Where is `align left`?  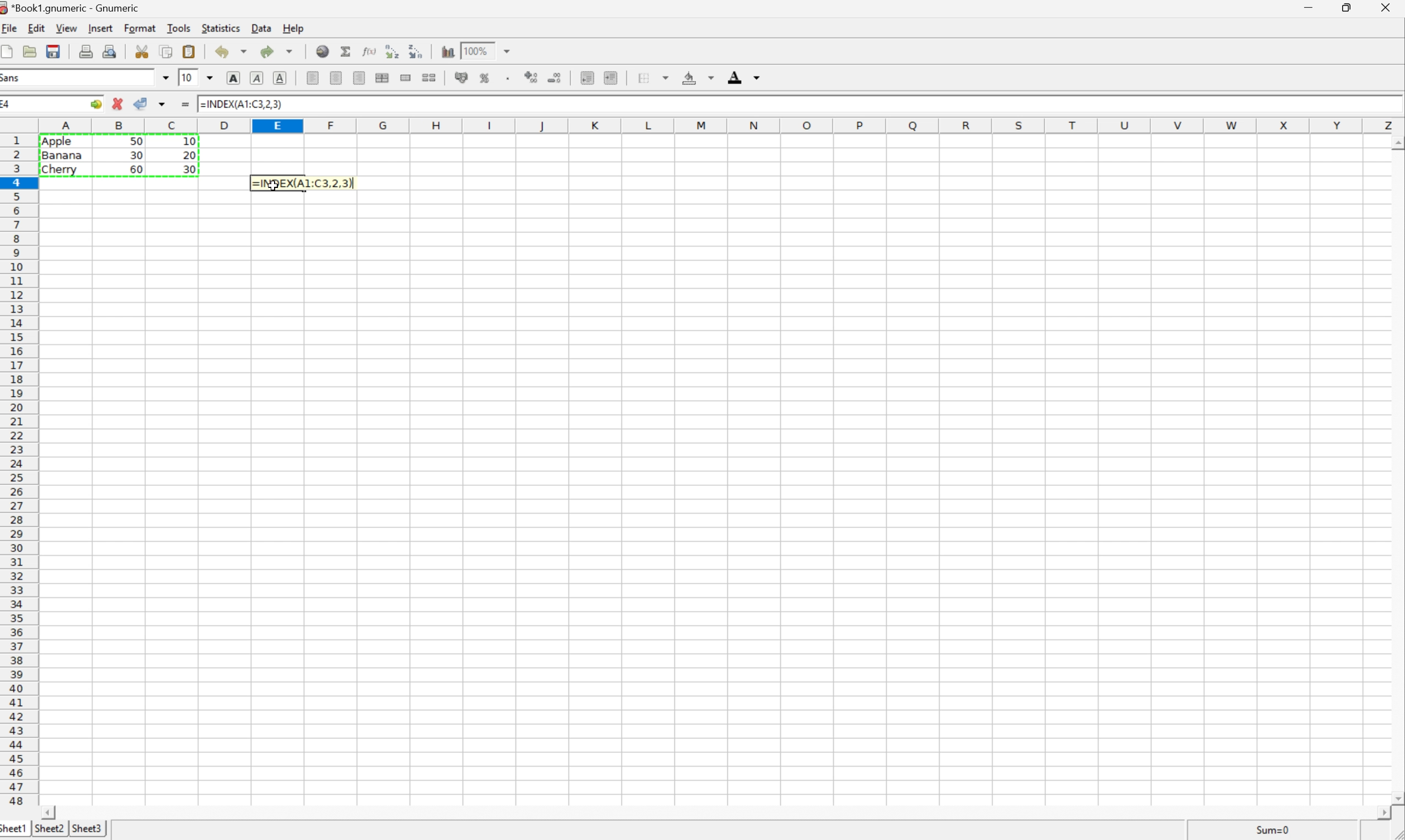
align left is located at coordinates (310, 78).